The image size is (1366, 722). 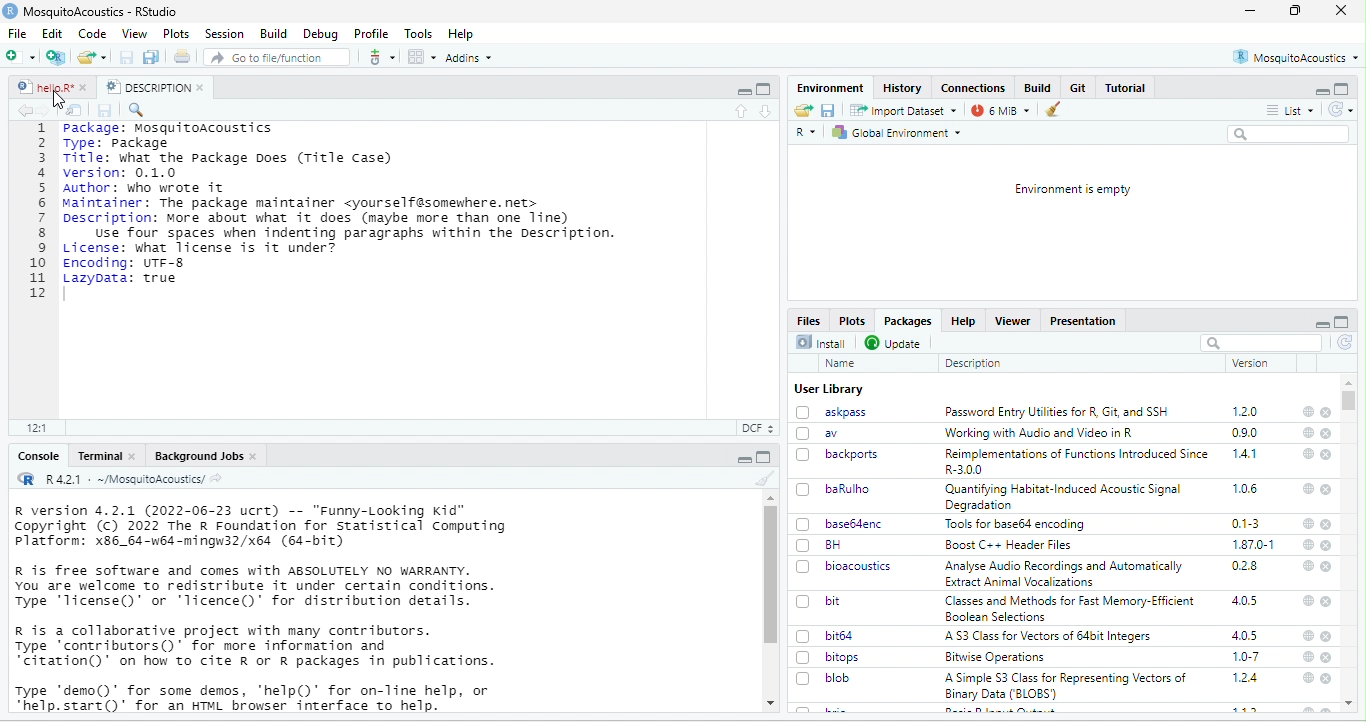 I want to click on full screen, so click(x=765, y=457).